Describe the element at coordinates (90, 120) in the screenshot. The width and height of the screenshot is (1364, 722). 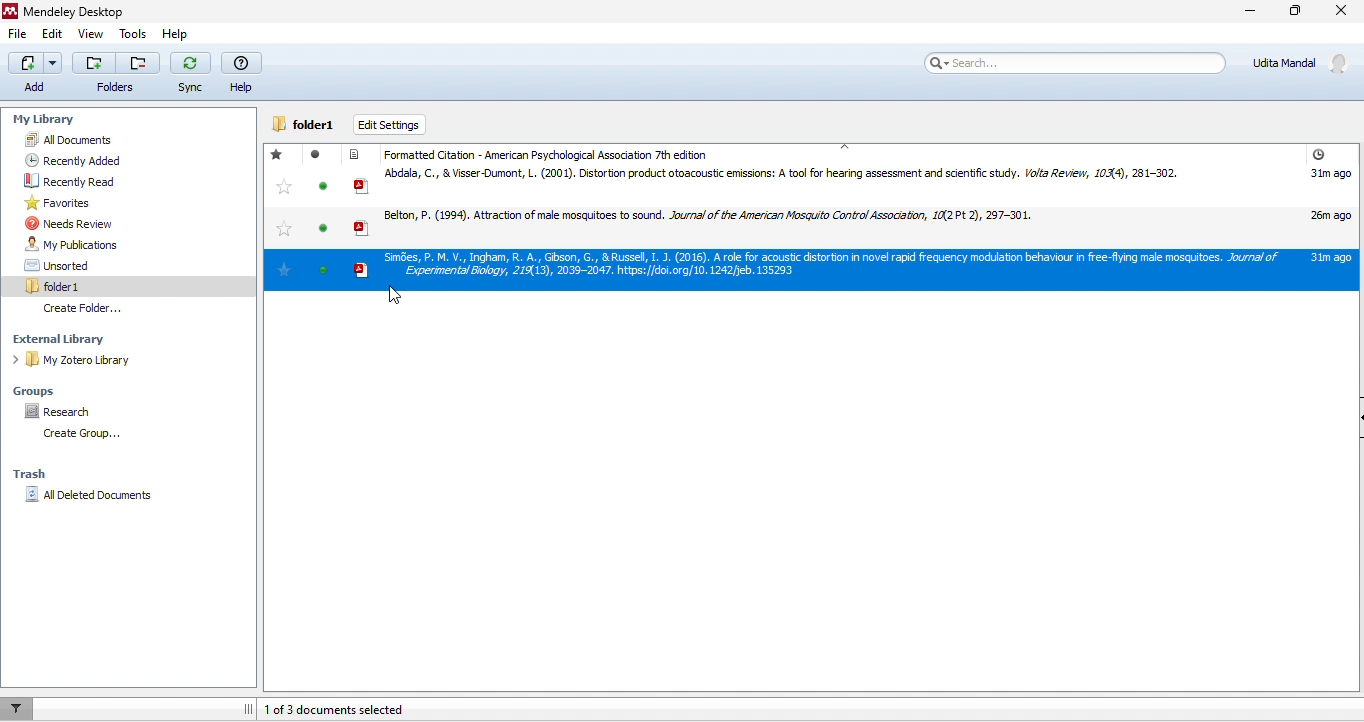
I see `my library` at that location.